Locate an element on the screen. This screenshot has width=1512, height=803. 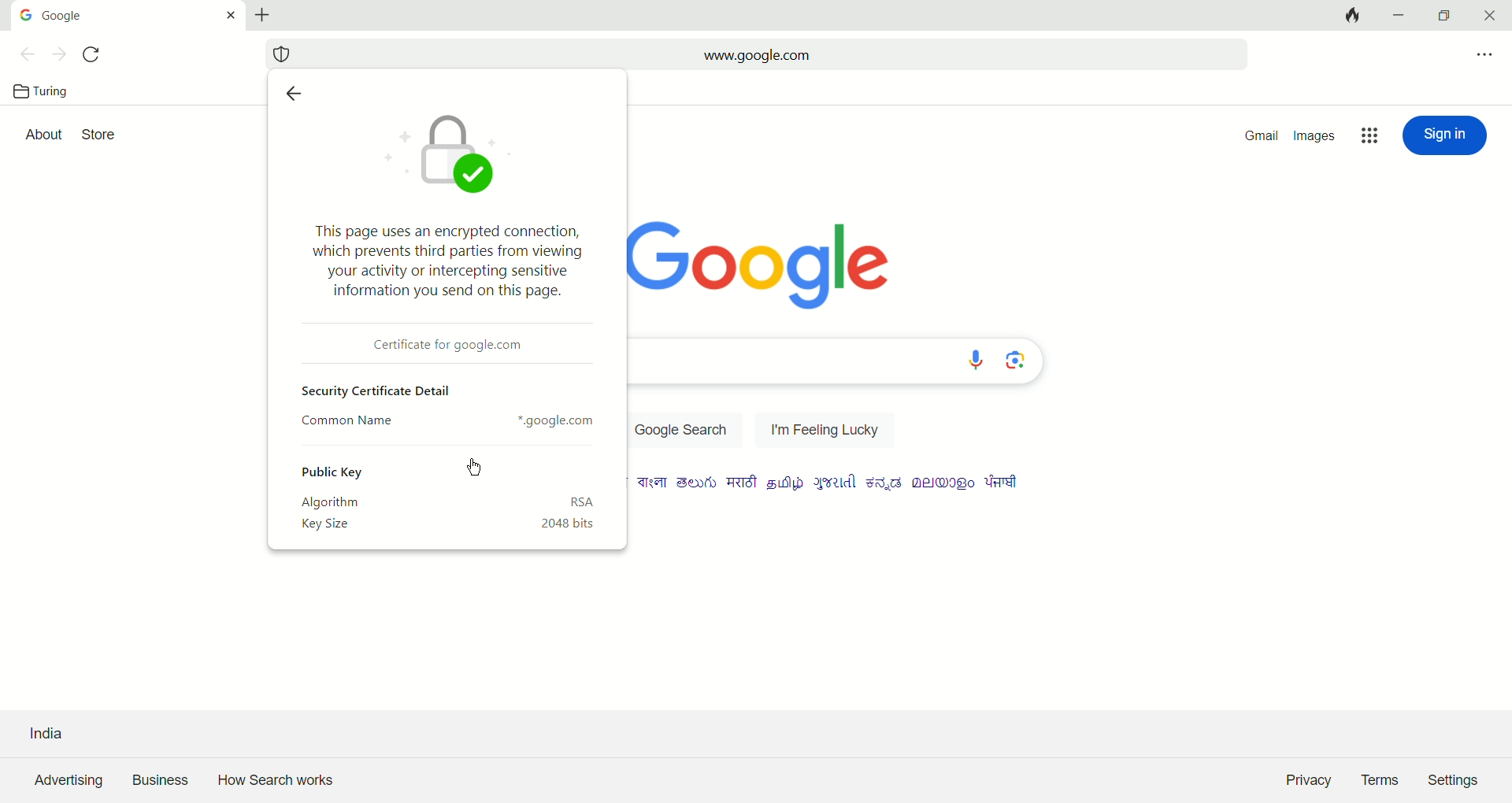
new tab is located at coordinates (262, 13).